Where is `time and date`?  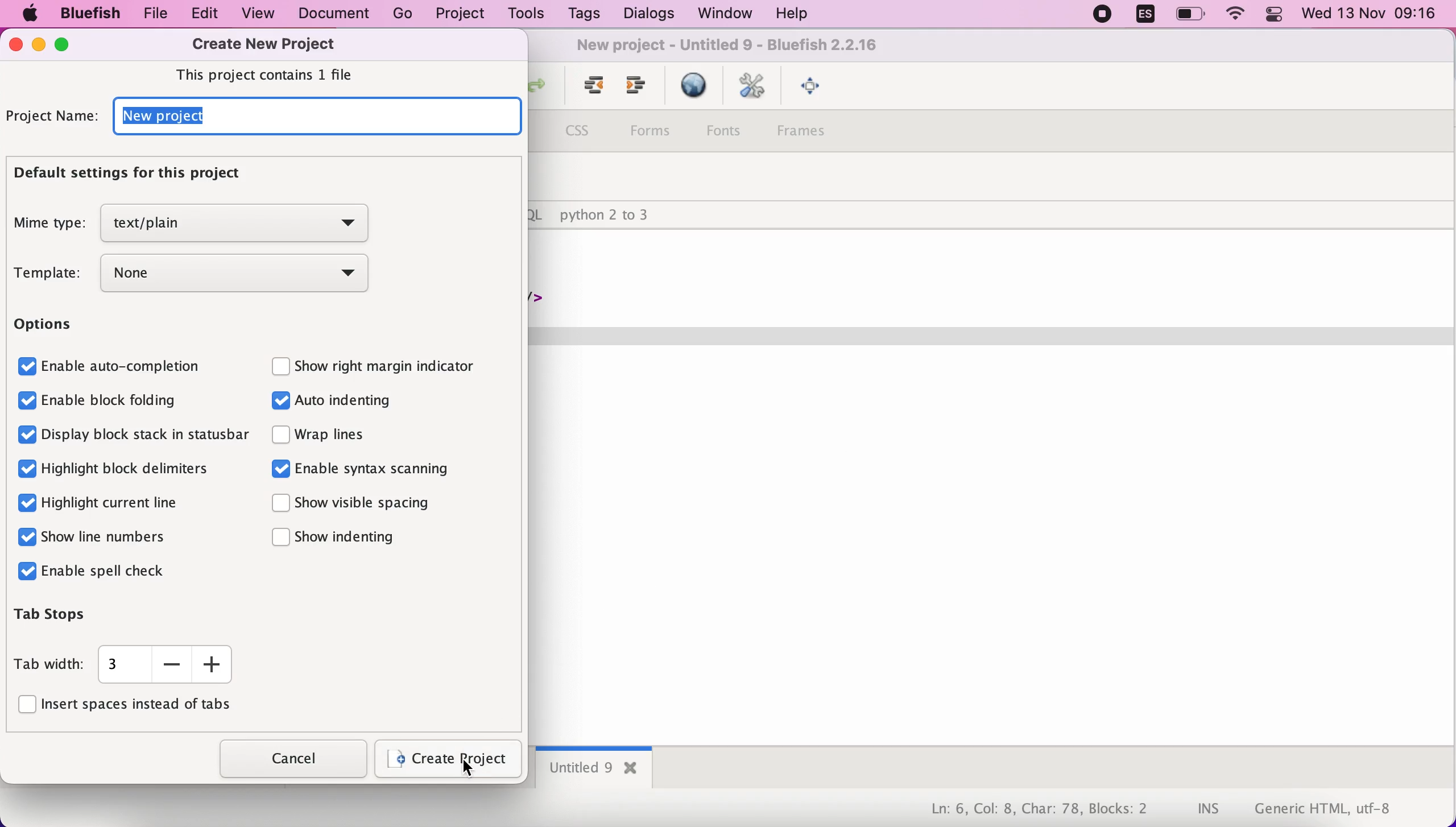
time and date is located at coordinates (1371, 15).